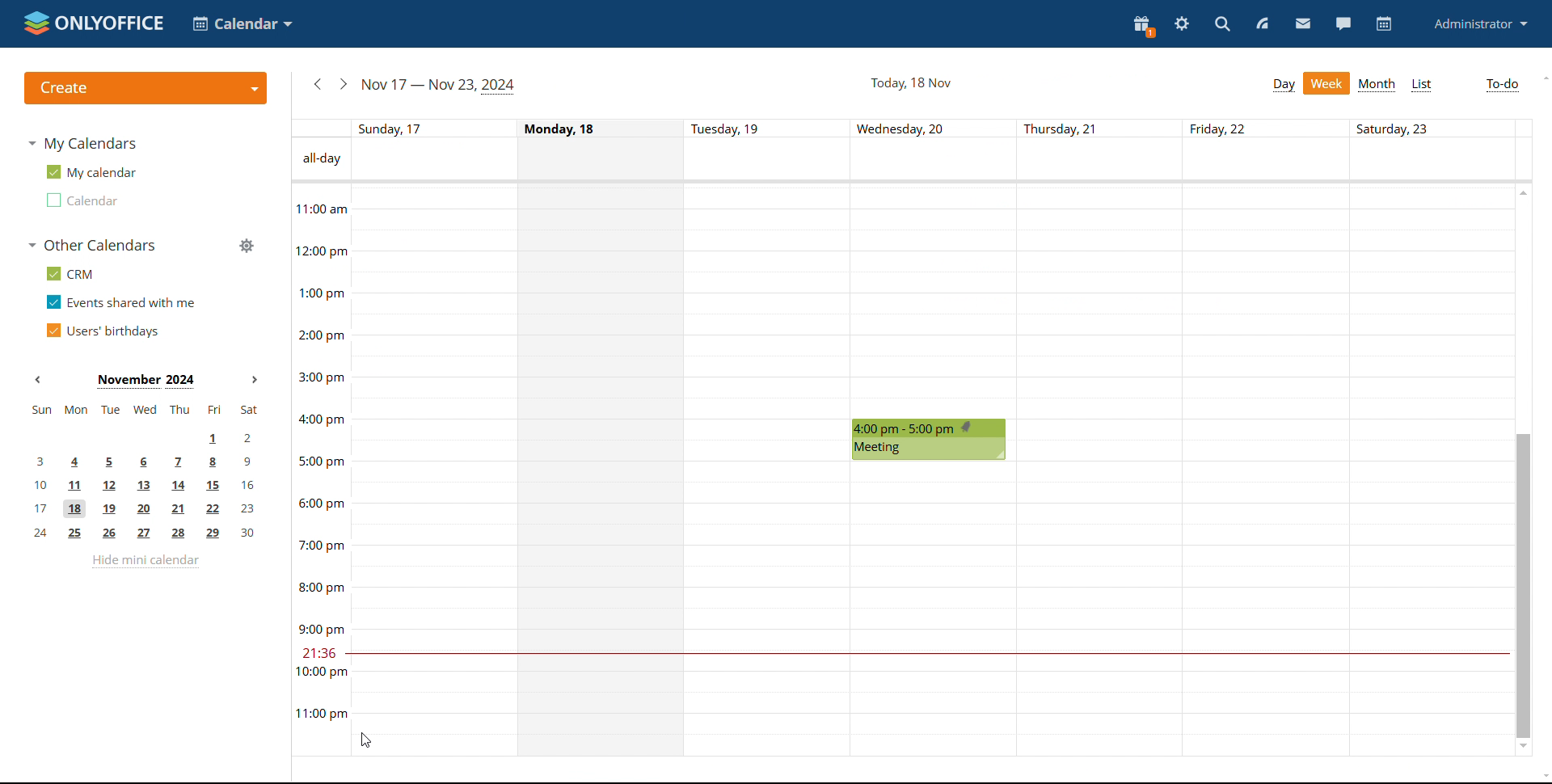  Describe the element at coordinates (933, 440) in the screenshot. I see `scheduled event "Meeting" from 4:00-5:00pm` at that location.